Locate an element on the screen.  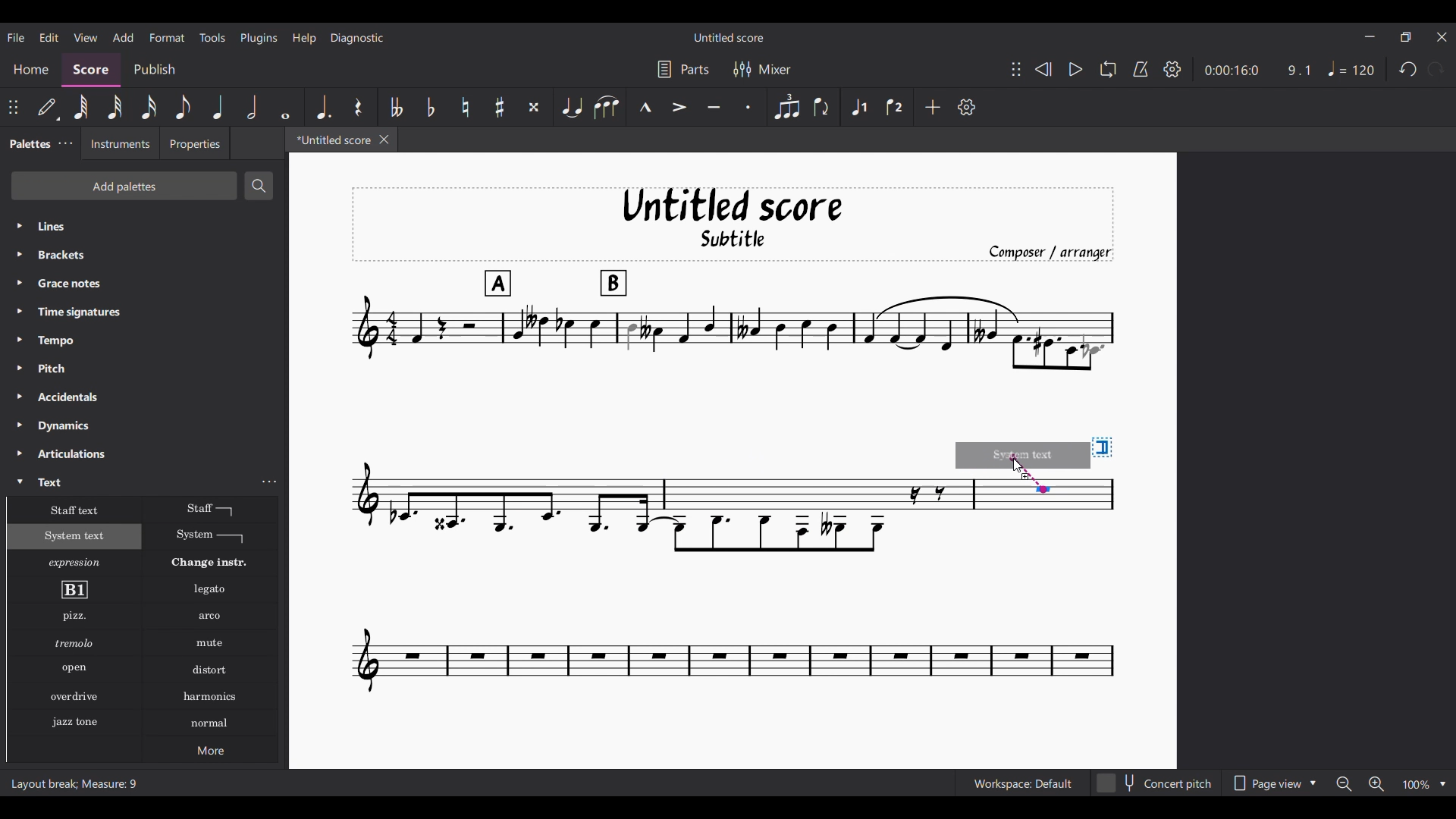
Home section is located at coordinates (30, 70).